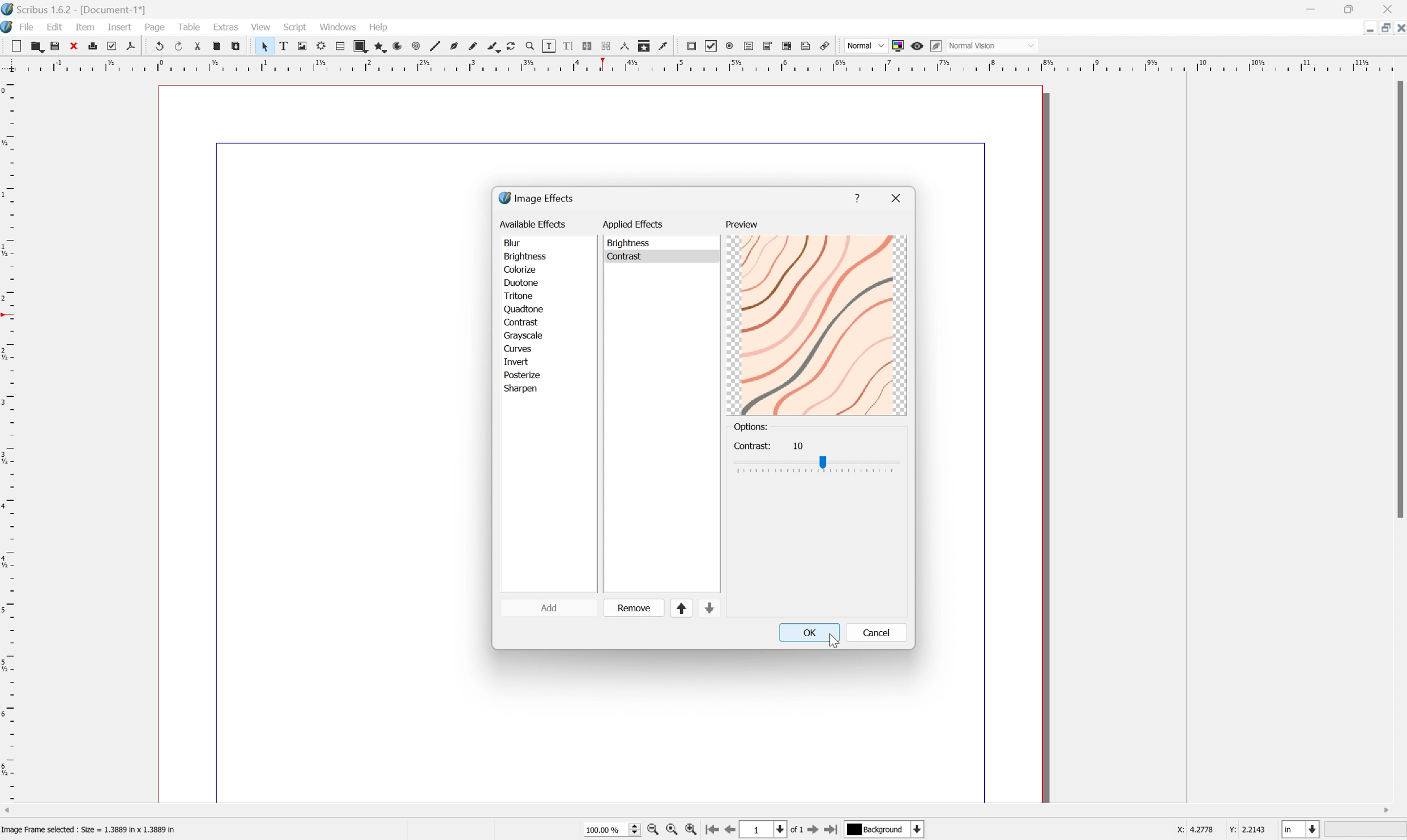 The width and height of the screenshot is (1407, 840). What do you see at coordinates (1398, 299) in the screenshot?
I see `Scroll bar` at bounding box center [1398, 299].